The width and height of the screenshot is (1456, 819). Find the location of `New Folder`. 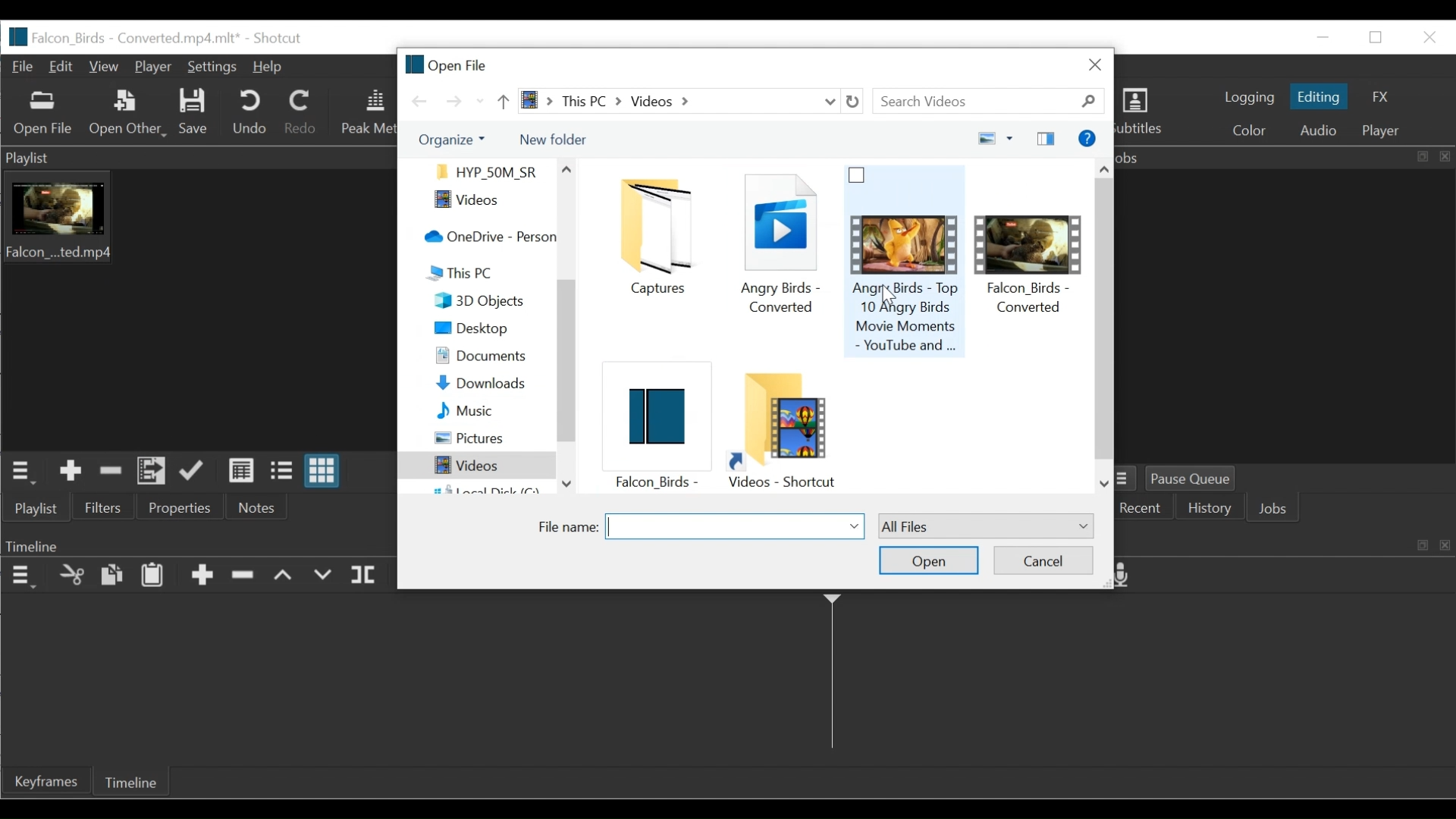

New Folder is located at coordinates (553, 140).